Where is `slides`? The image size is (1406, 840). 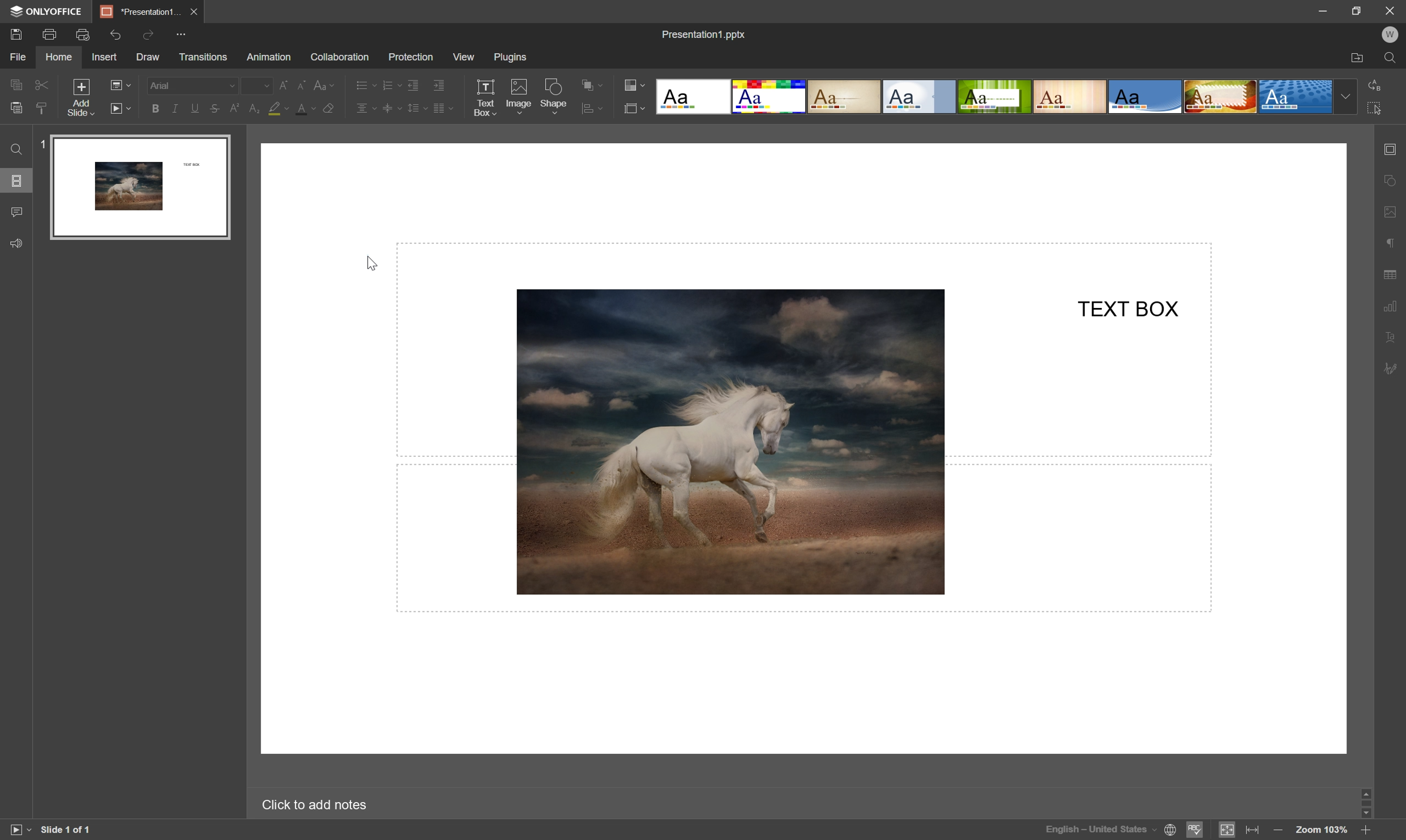
slides is located at coordinates (18, 182).